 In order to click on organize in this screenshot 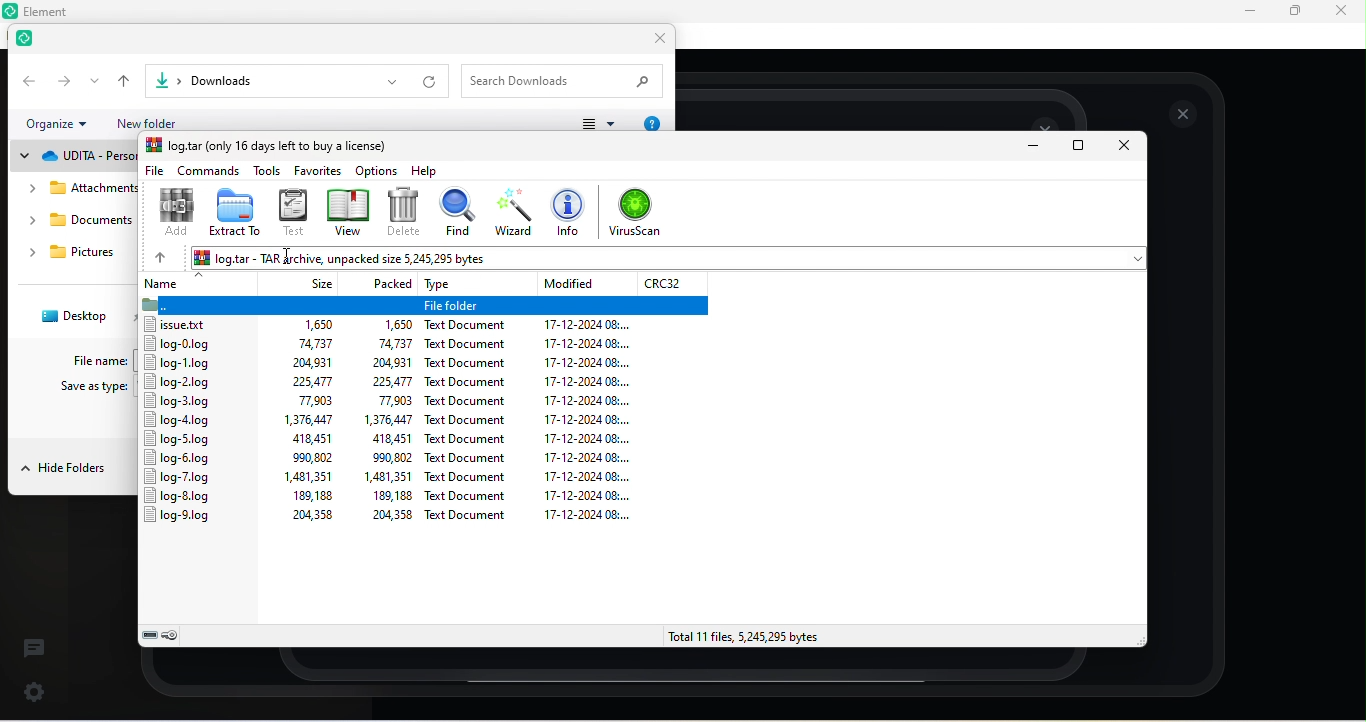, I will do `click(63, 125)`.